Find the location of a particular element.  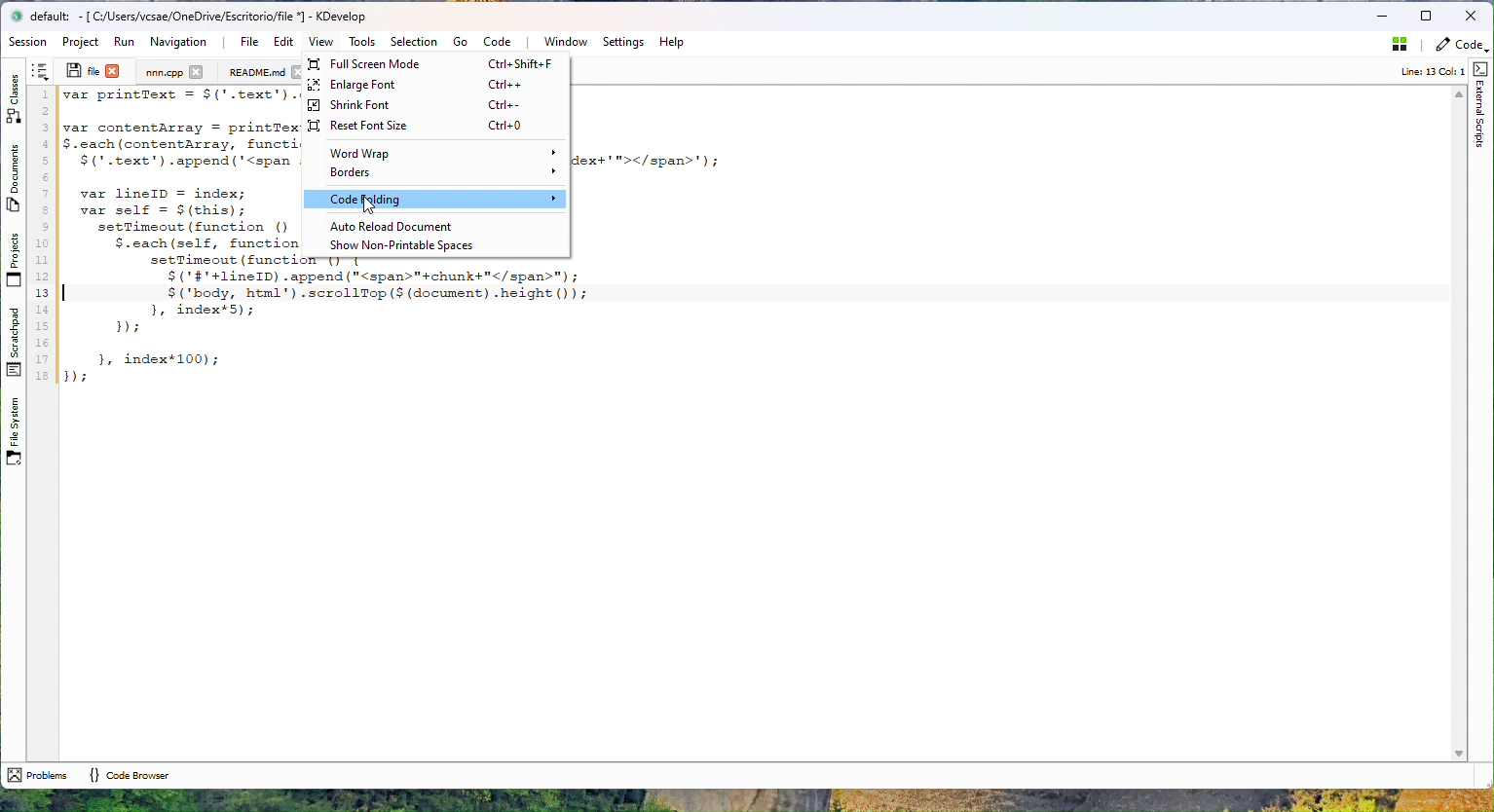

File is located at coordinates (248, 42).